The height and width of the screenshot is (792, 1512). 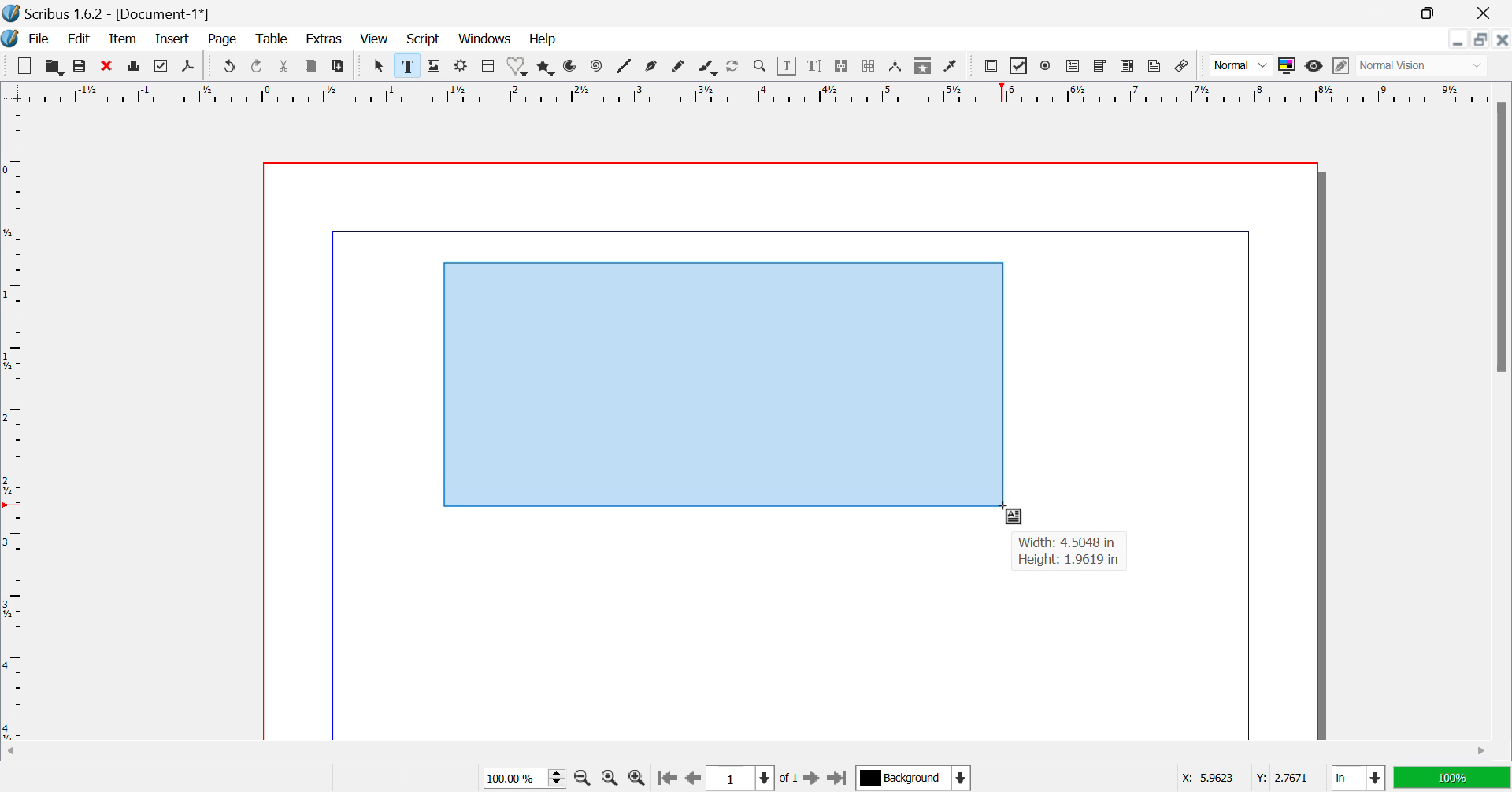 I want to click on Table, so click(x=272, y=41).